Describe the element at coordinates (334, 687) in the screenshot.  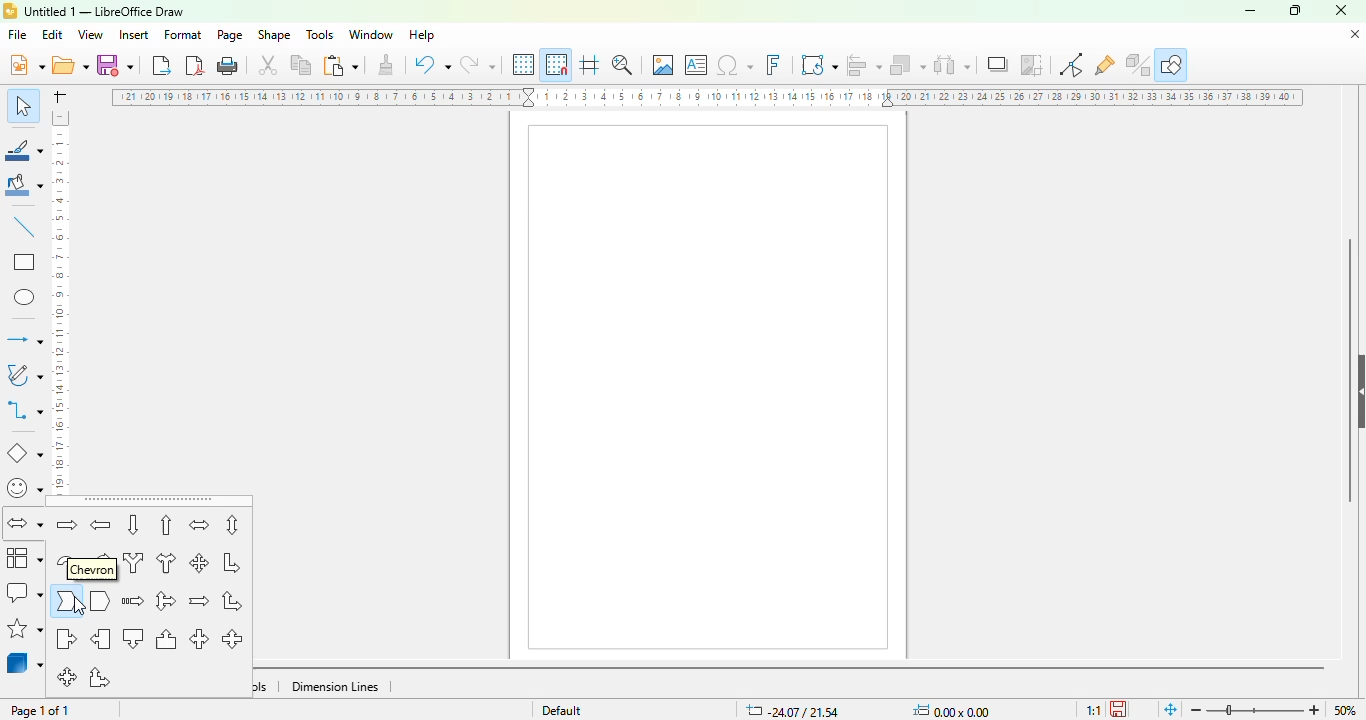
I see `dimension lines` at that location.